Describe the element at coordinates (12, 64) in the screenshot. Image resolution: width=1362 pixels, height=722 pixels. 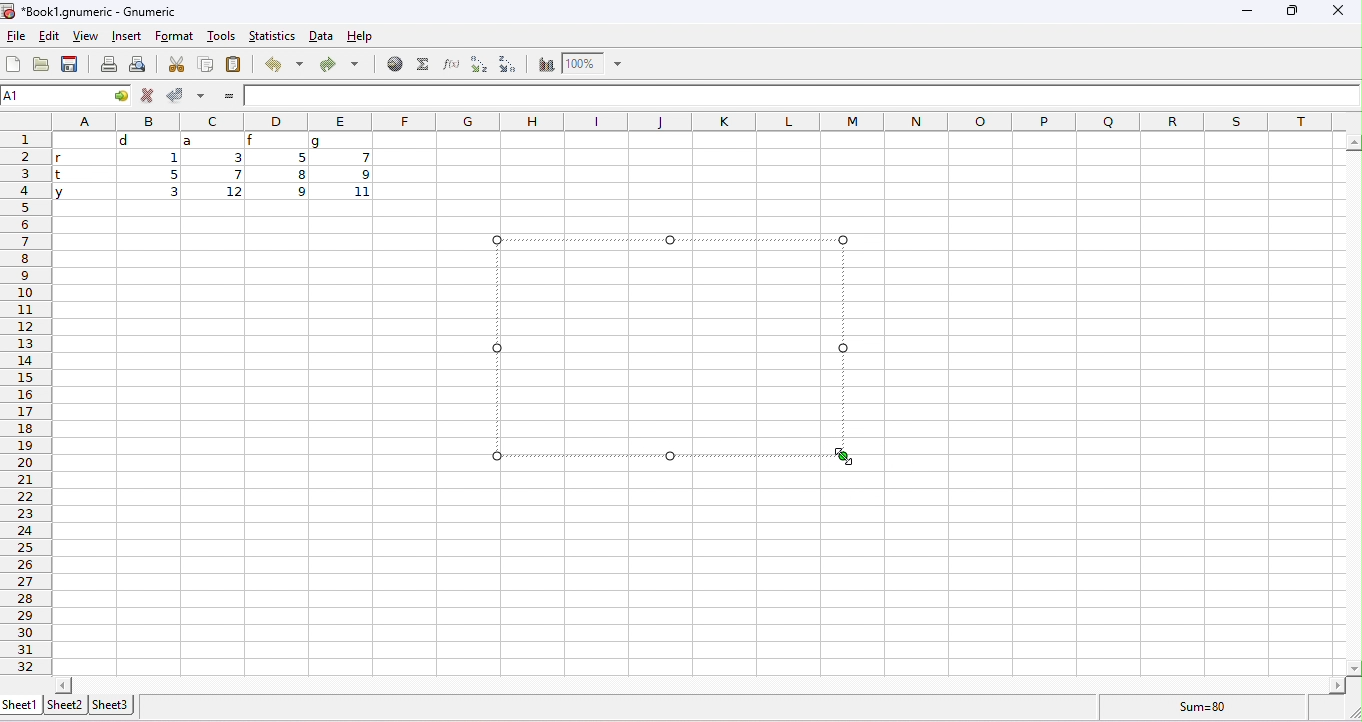
I see `new` at that location.